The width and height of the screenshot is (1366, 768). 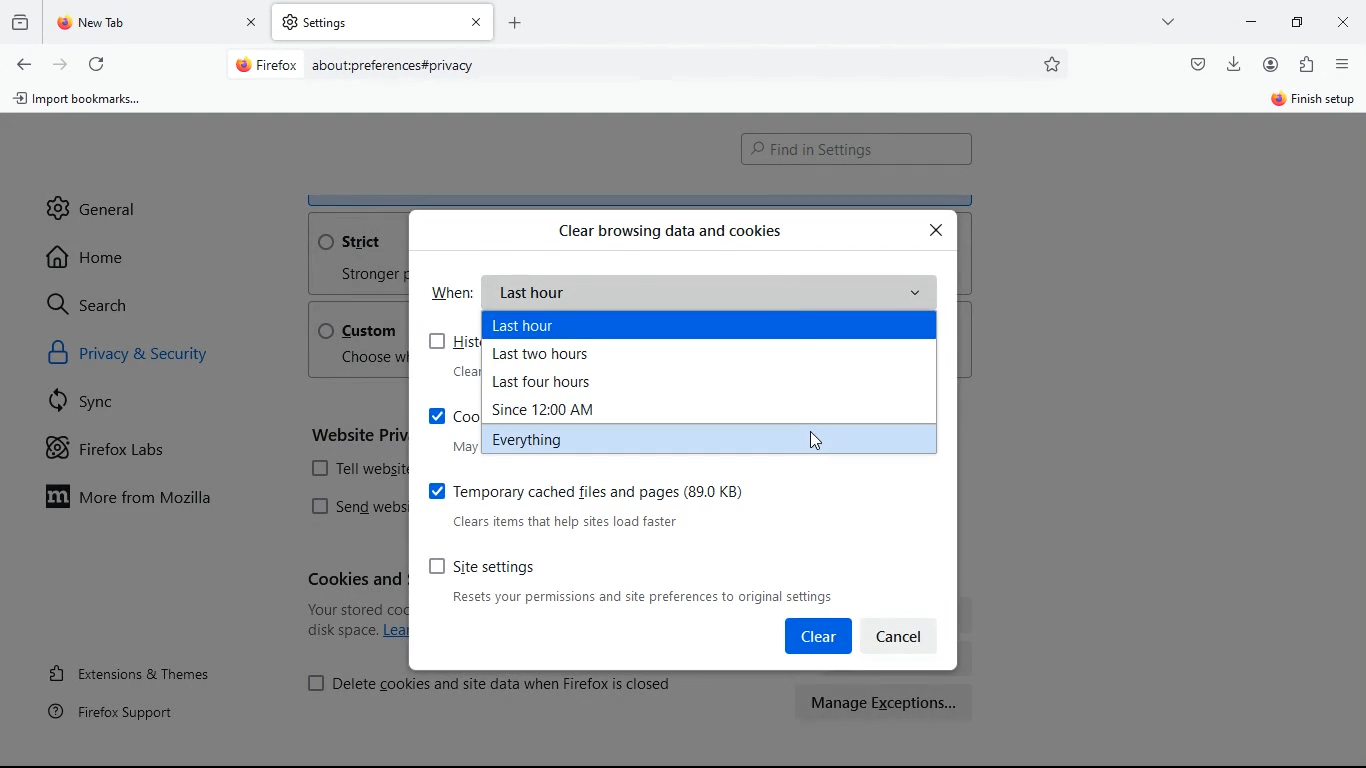 What do you see at coordinates (492, 682) in the screenshot?
I see `[J Delete cookies and site data when Firefox is closed` at bounding box center [492, 682].